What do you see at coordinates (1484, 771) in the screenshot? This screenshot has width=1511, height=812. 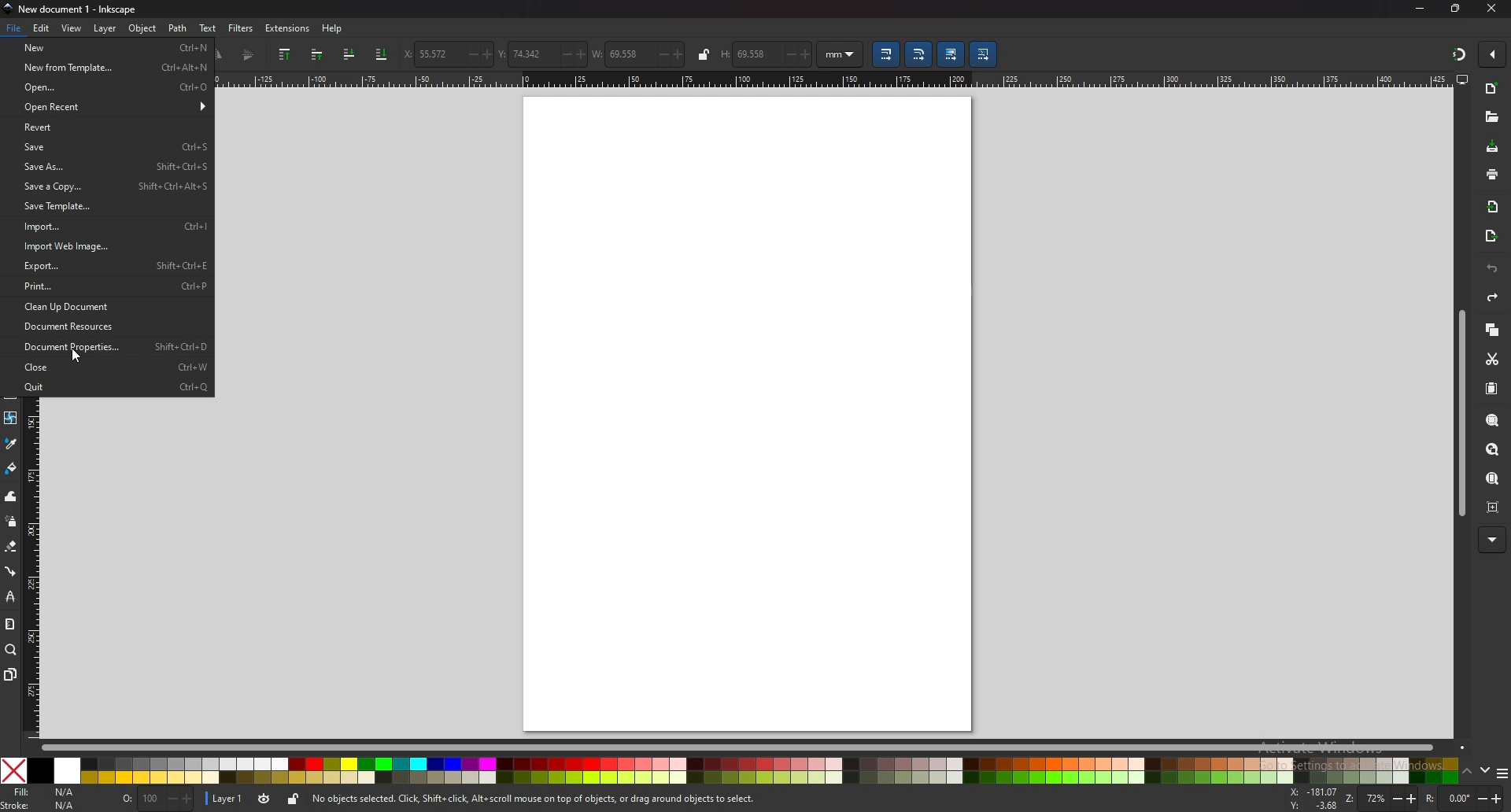 I see `down` at bounding box center [1484, 771].